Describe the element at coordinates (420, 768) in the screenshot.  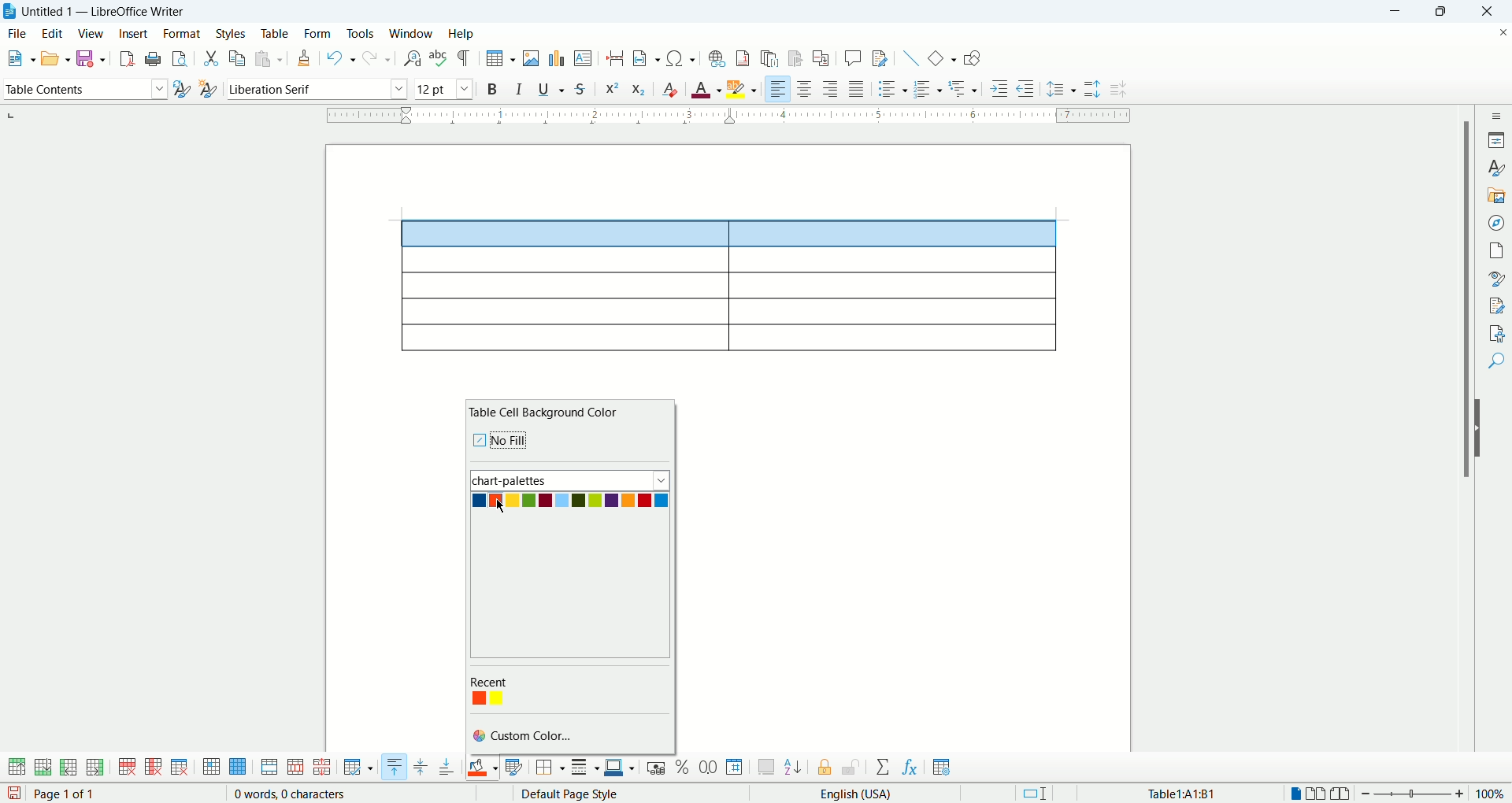
I see `center vertically` at that location.